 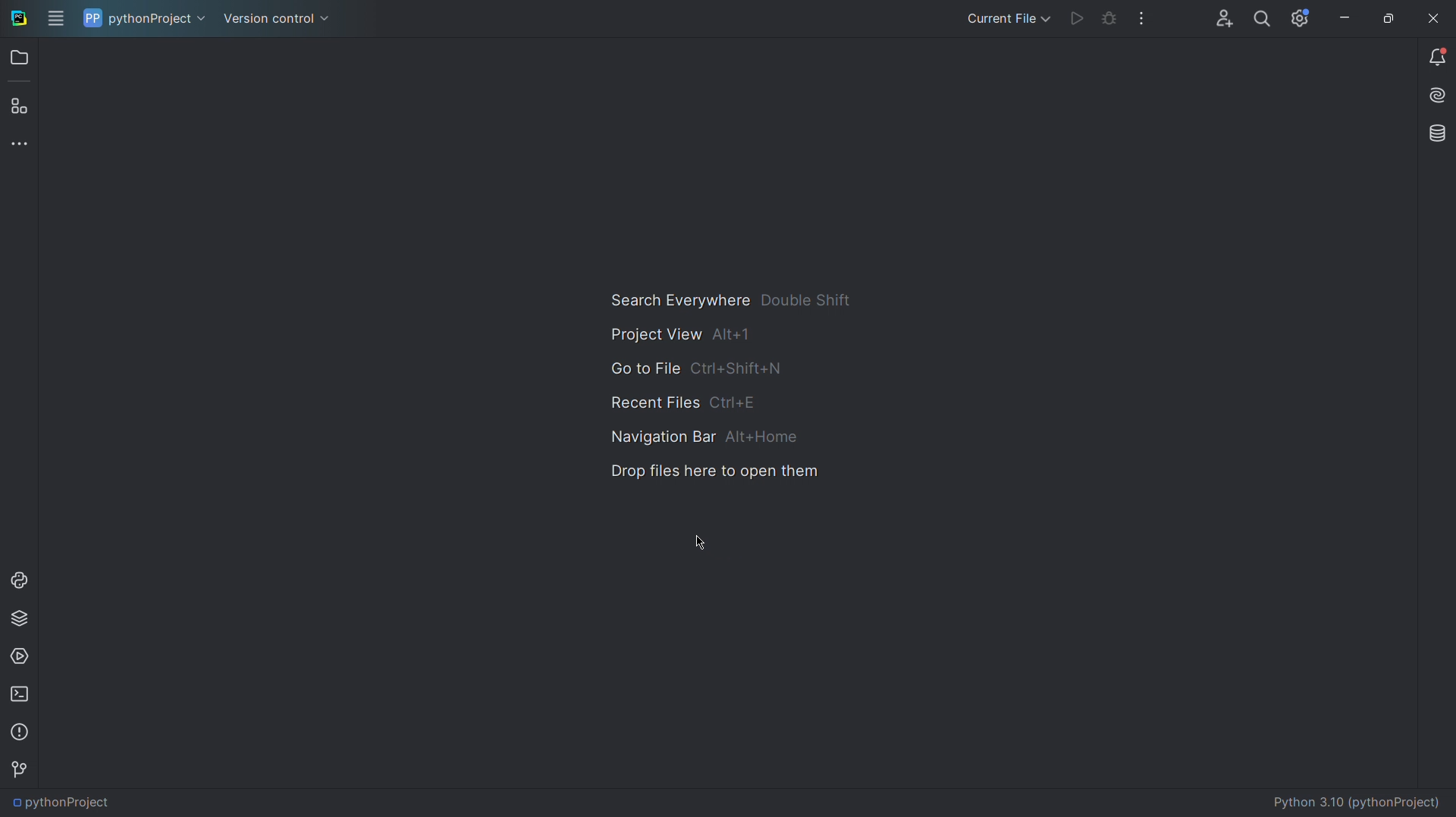 What do you see at coordinates (1301, 20) in the screenshot?
I see `settings` at bounding box center [1301, 20].